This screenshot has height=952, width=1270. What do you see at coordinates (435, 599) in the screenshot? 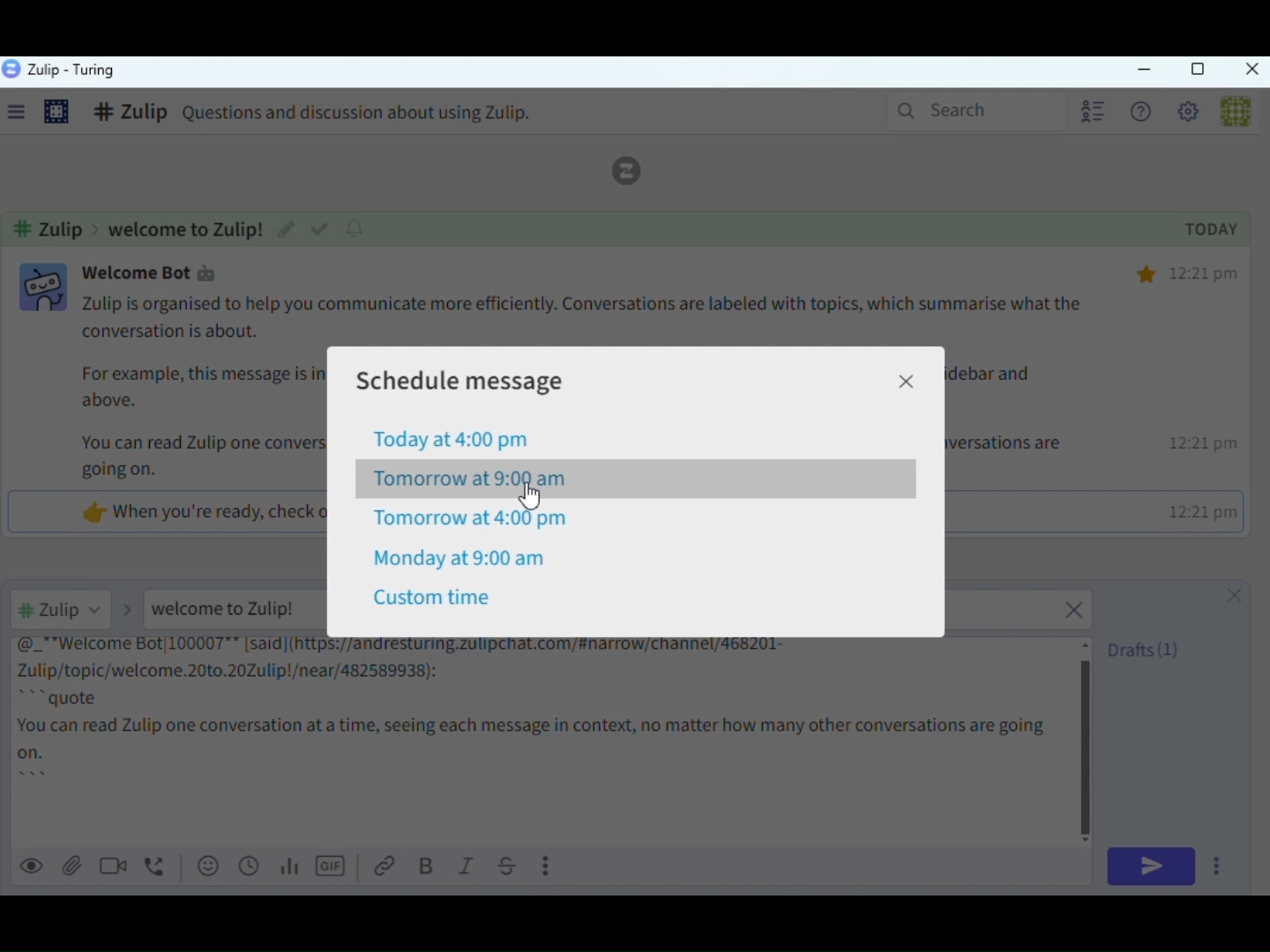
I see `Custom time` at bounding box center [435, 599].